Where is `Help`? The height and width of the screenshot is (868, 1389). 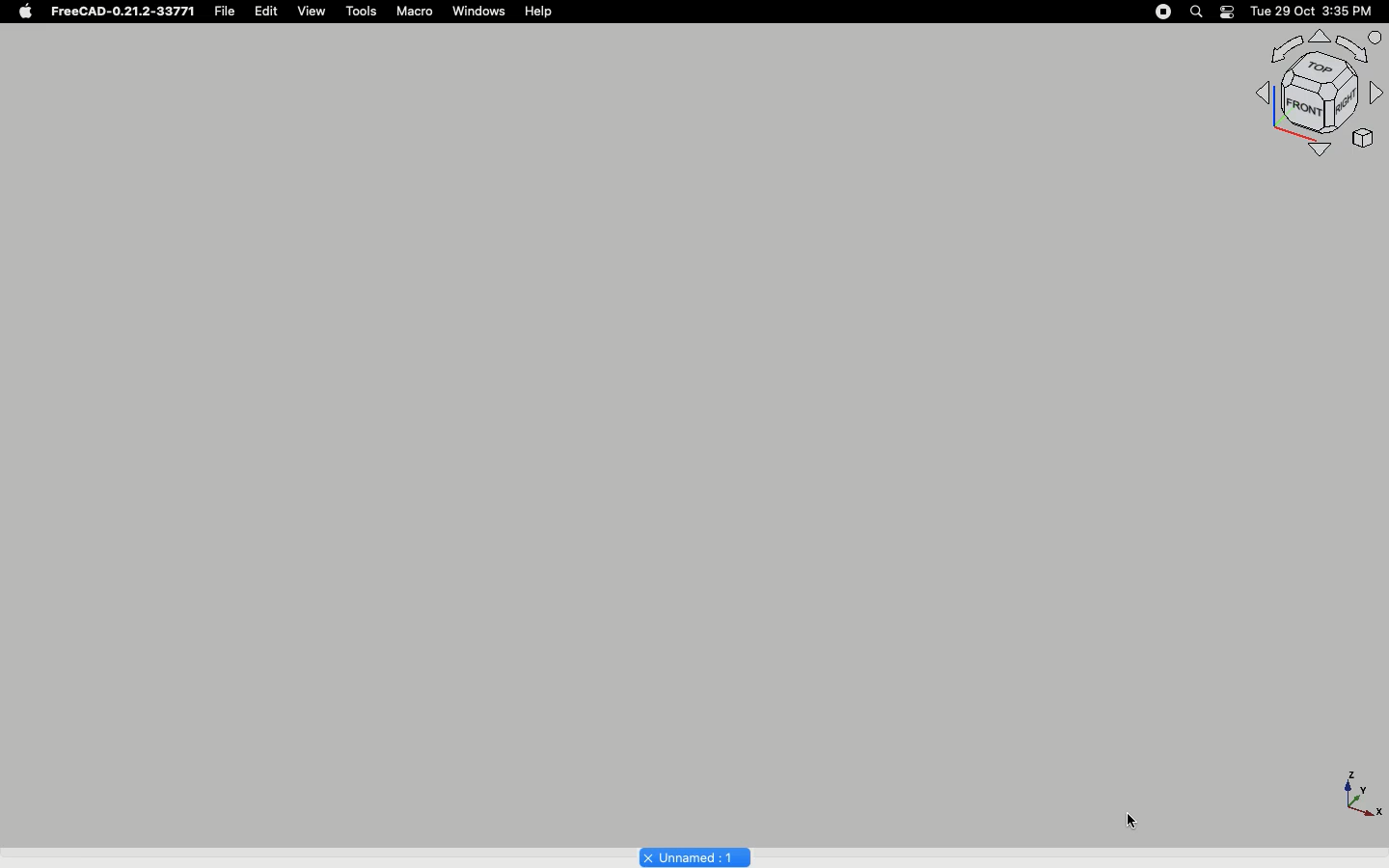
Help is located at coordinates (542, 11).